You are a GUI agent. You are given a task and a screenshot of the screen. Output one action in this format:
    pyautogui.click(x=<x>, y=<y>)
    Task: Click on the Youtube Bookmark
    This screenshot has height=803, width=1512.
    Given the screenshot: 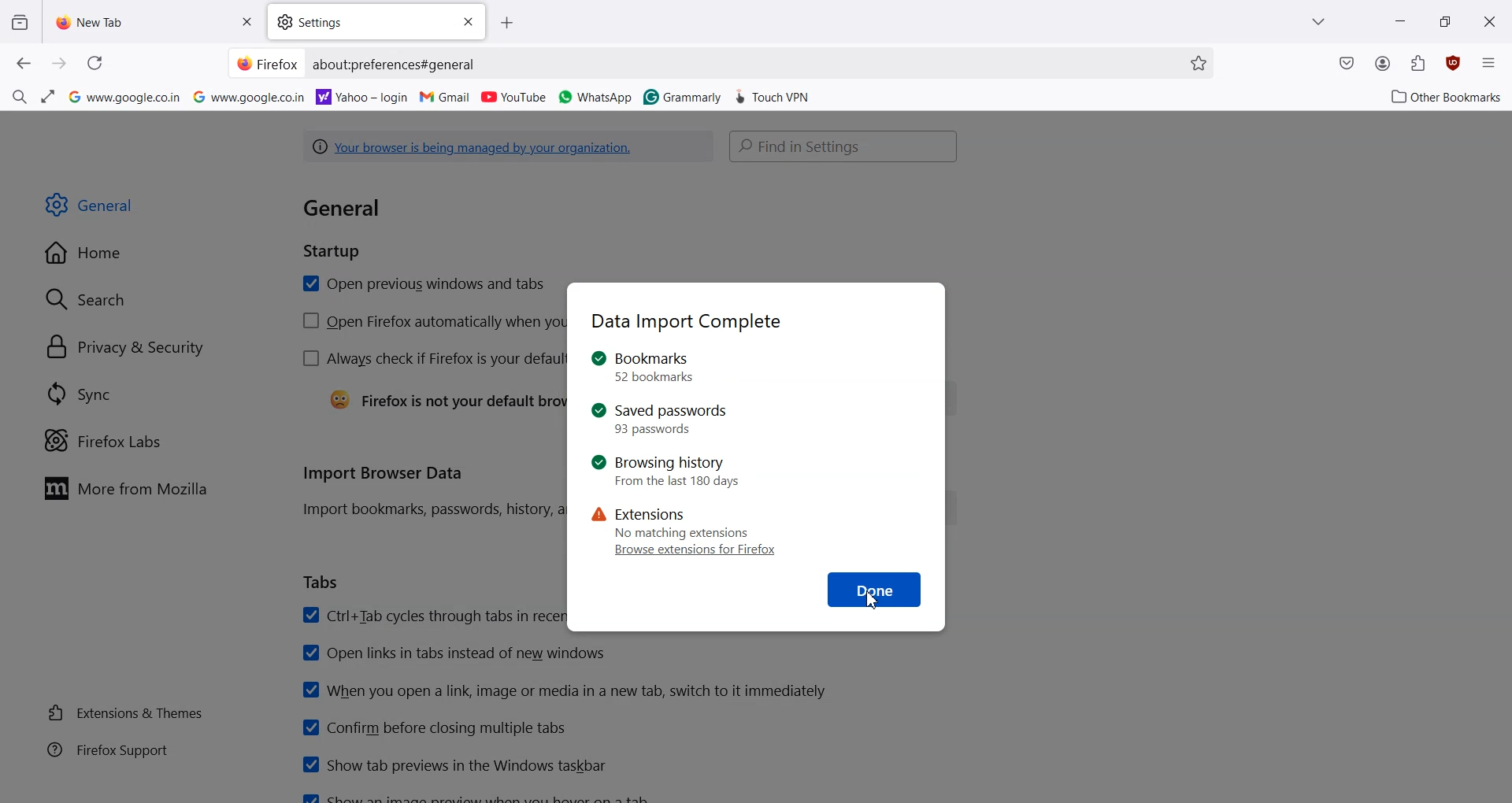 What is the action you would take?
    pyautogui.click(x=513, y=97)
    